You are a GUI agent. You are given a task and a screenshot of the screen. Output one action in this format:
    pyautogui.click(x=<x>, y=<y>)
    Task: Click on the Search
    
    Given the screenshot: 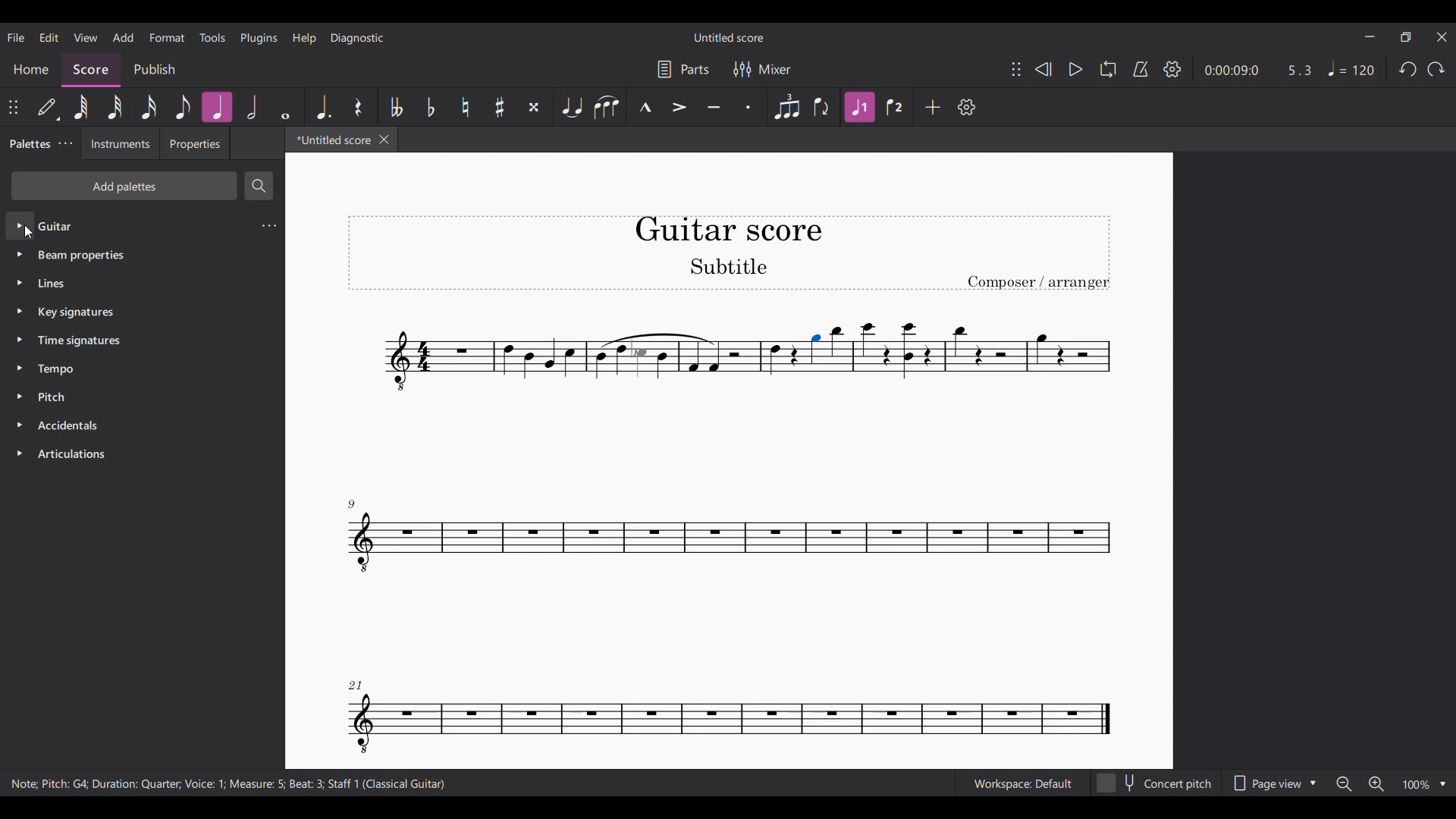 What is the action you would take?
    pyautogui.click(x=259, y=186)
    